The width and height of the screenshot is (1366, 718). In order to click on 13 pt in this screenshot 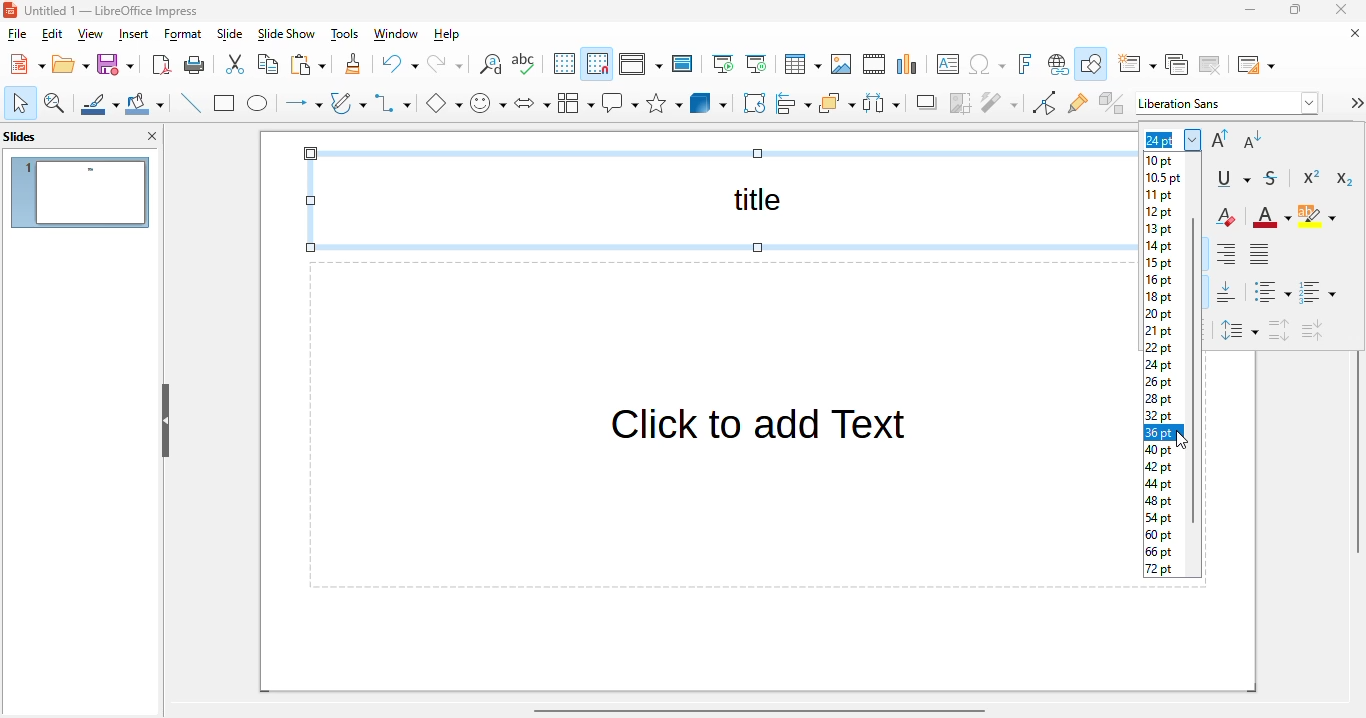, I will do `click(1159, 230)`.